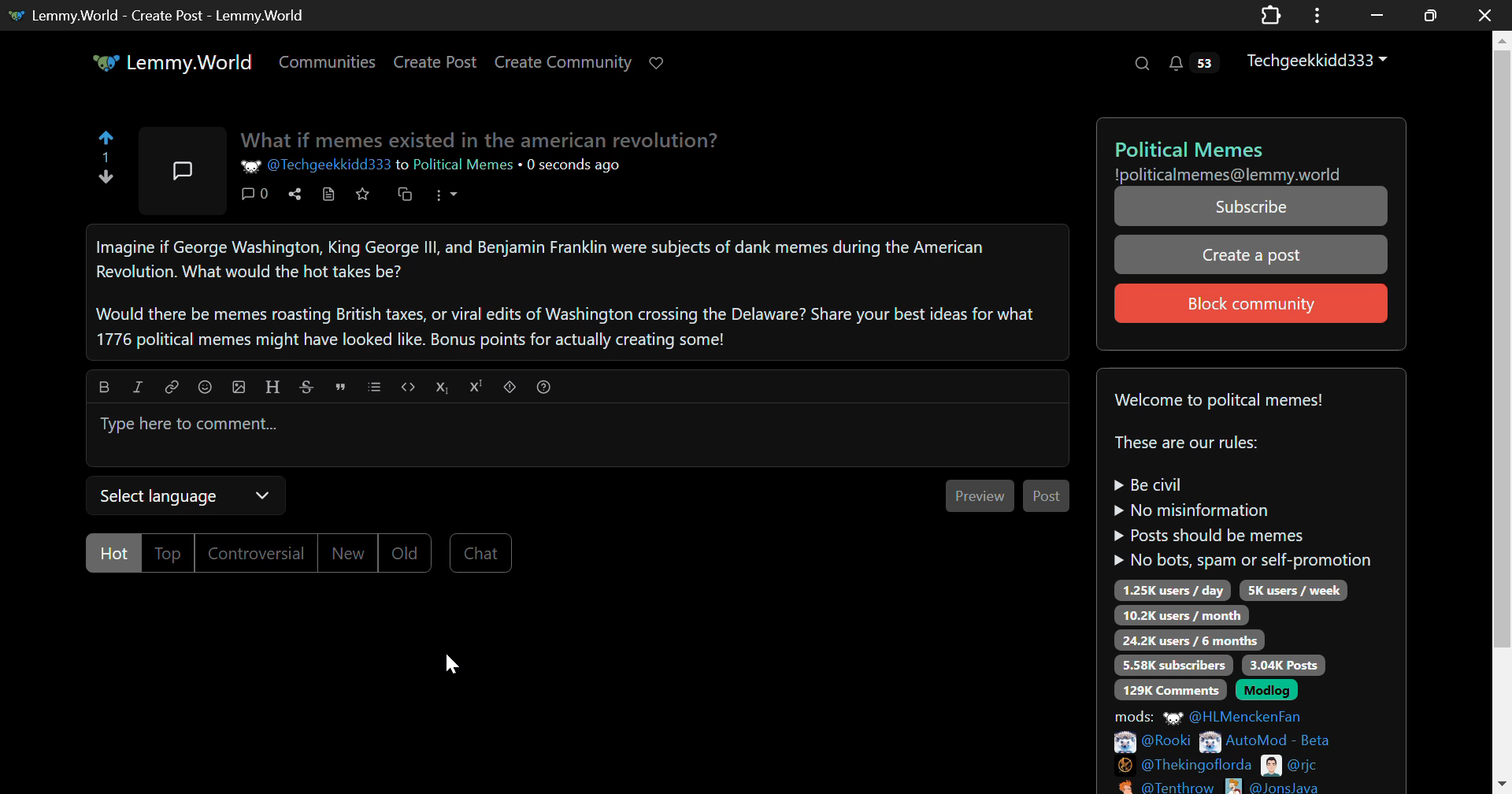 This screenshot has height=794, width=1512. I want to click on Comment Counter, so click(259, 198).